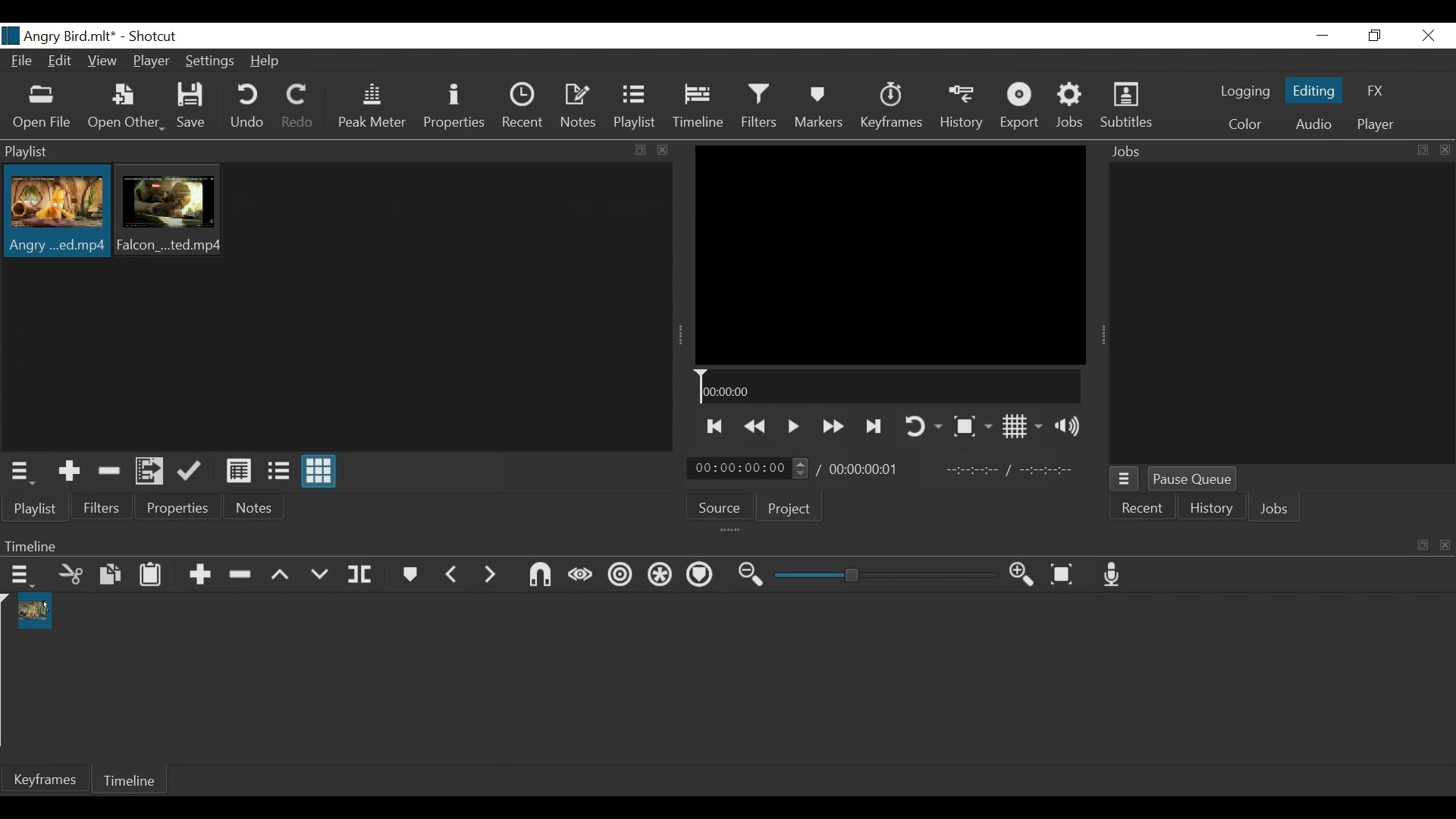  What do you see at coordinates (1072, 108) in the screenshot?
I see `Jobs` at bounding box center [1072, 108].